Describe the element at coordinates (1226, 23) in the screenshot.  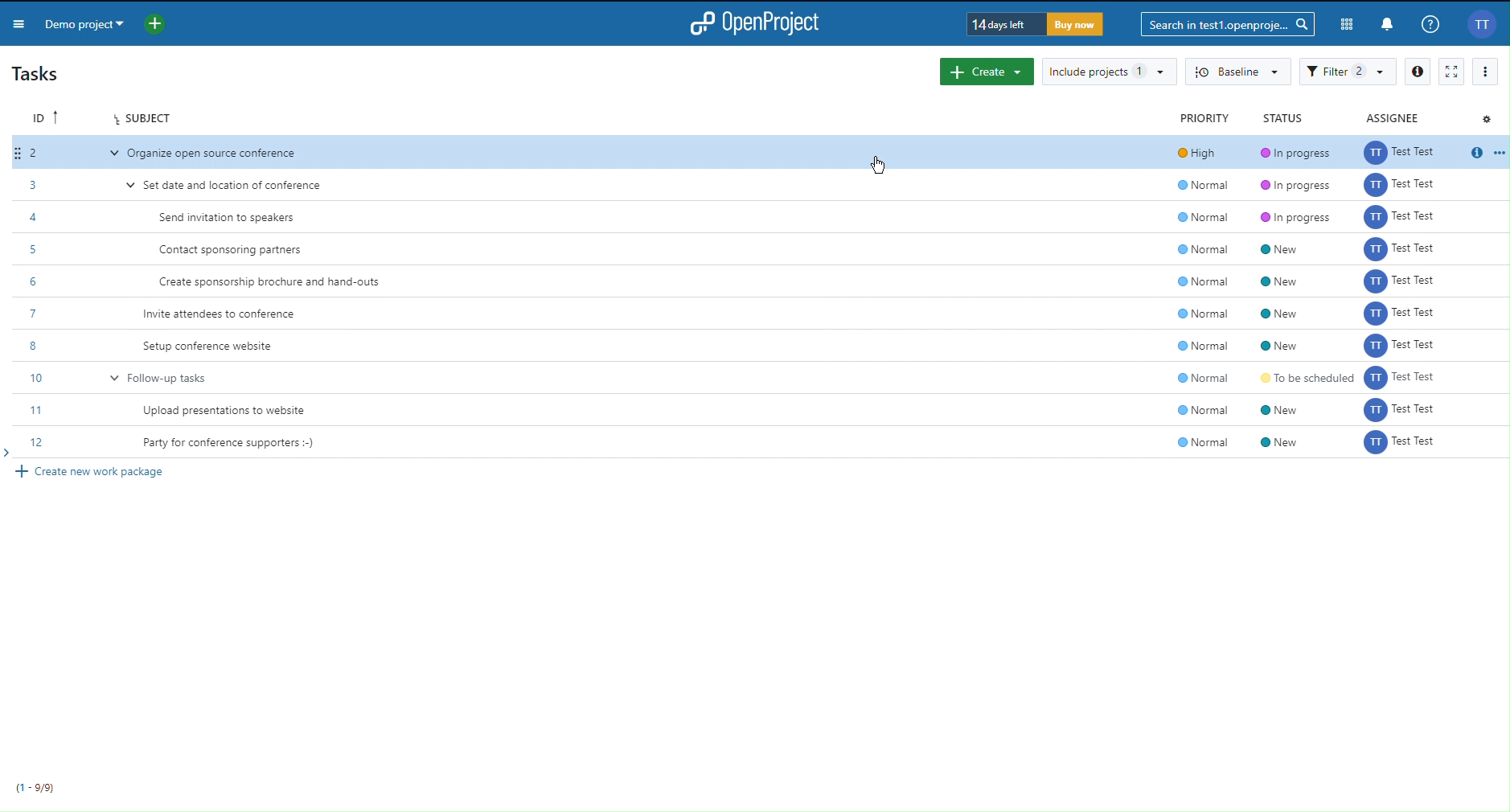
I see `Search bar` at that location.